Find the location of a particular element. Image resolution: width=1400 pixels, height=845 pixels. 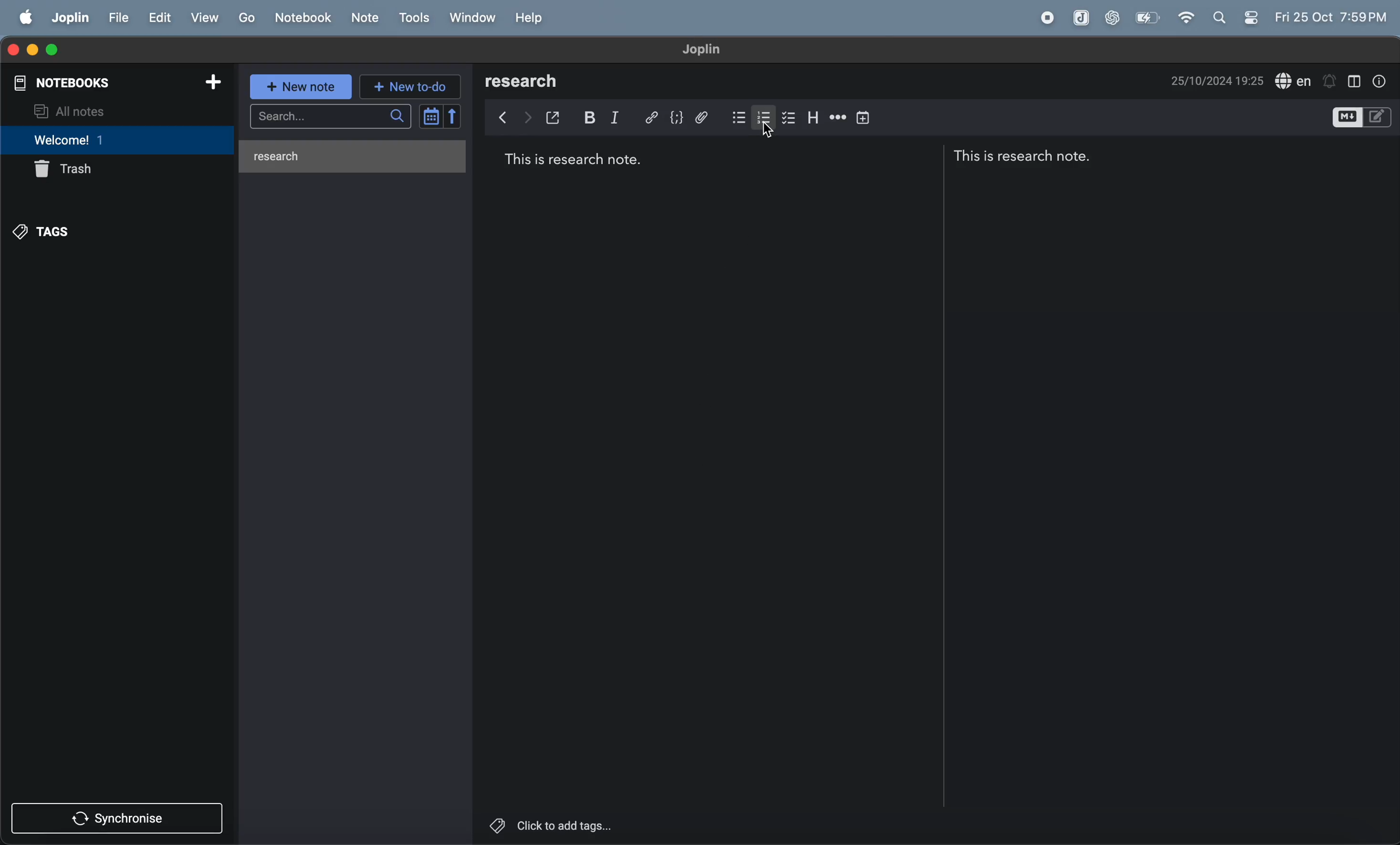

notebook is located at coordinates (304, 17).